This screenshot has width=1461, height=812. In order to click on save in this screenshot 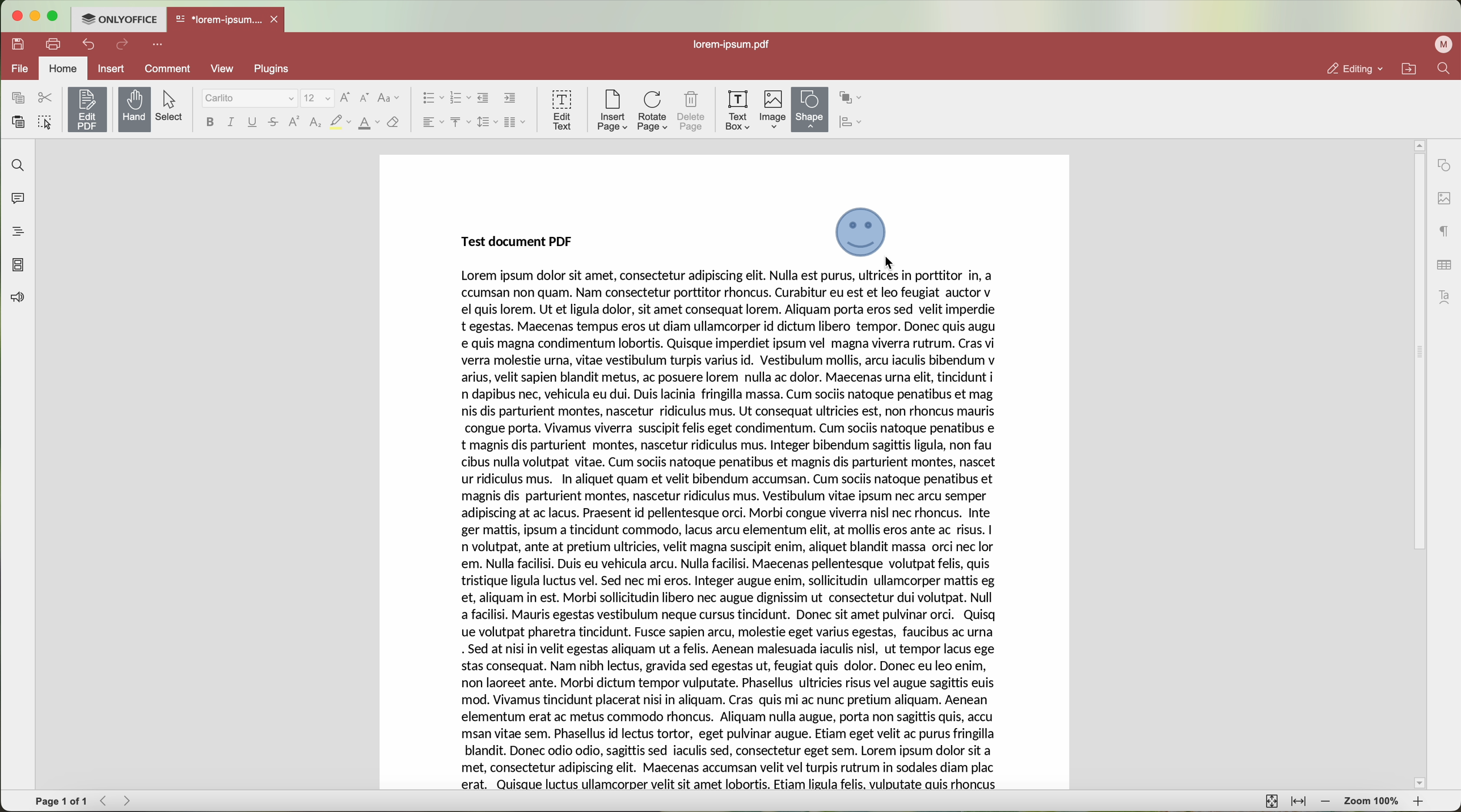, I will do `click(19, 43)`.